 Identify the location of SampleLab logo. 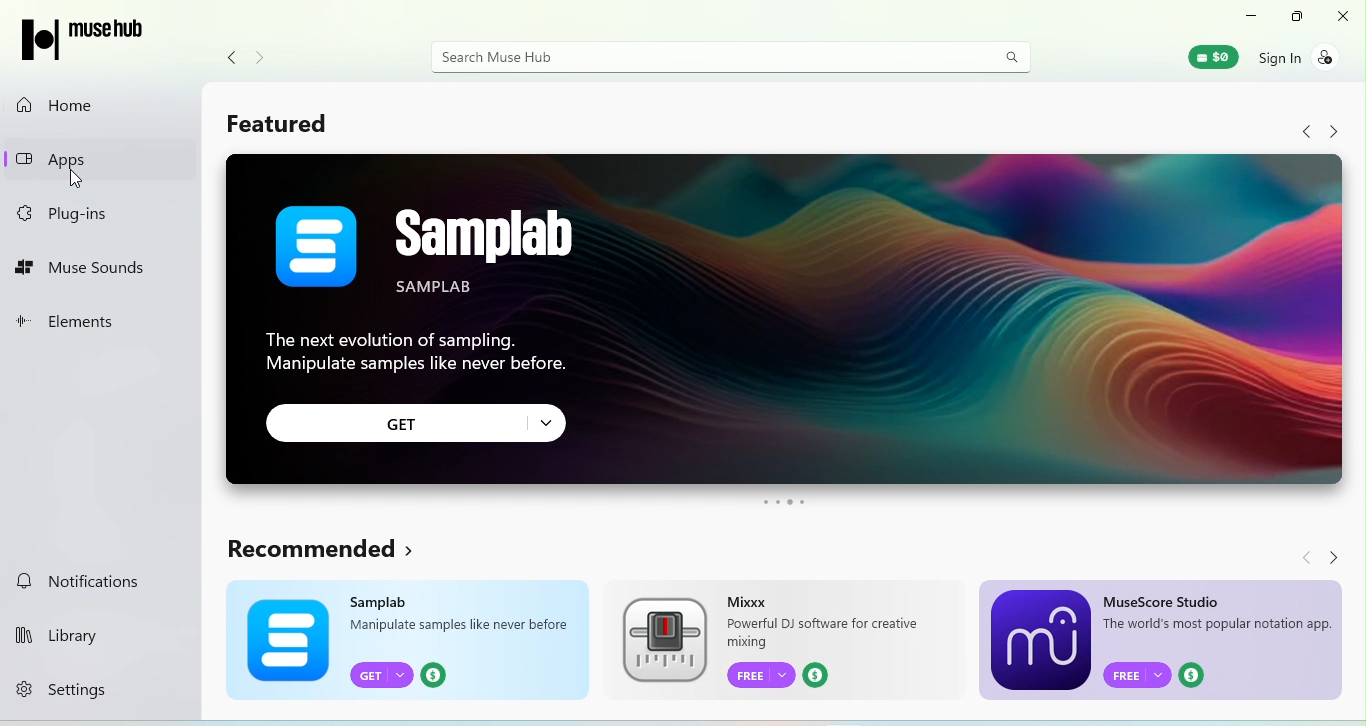
(316, 244).